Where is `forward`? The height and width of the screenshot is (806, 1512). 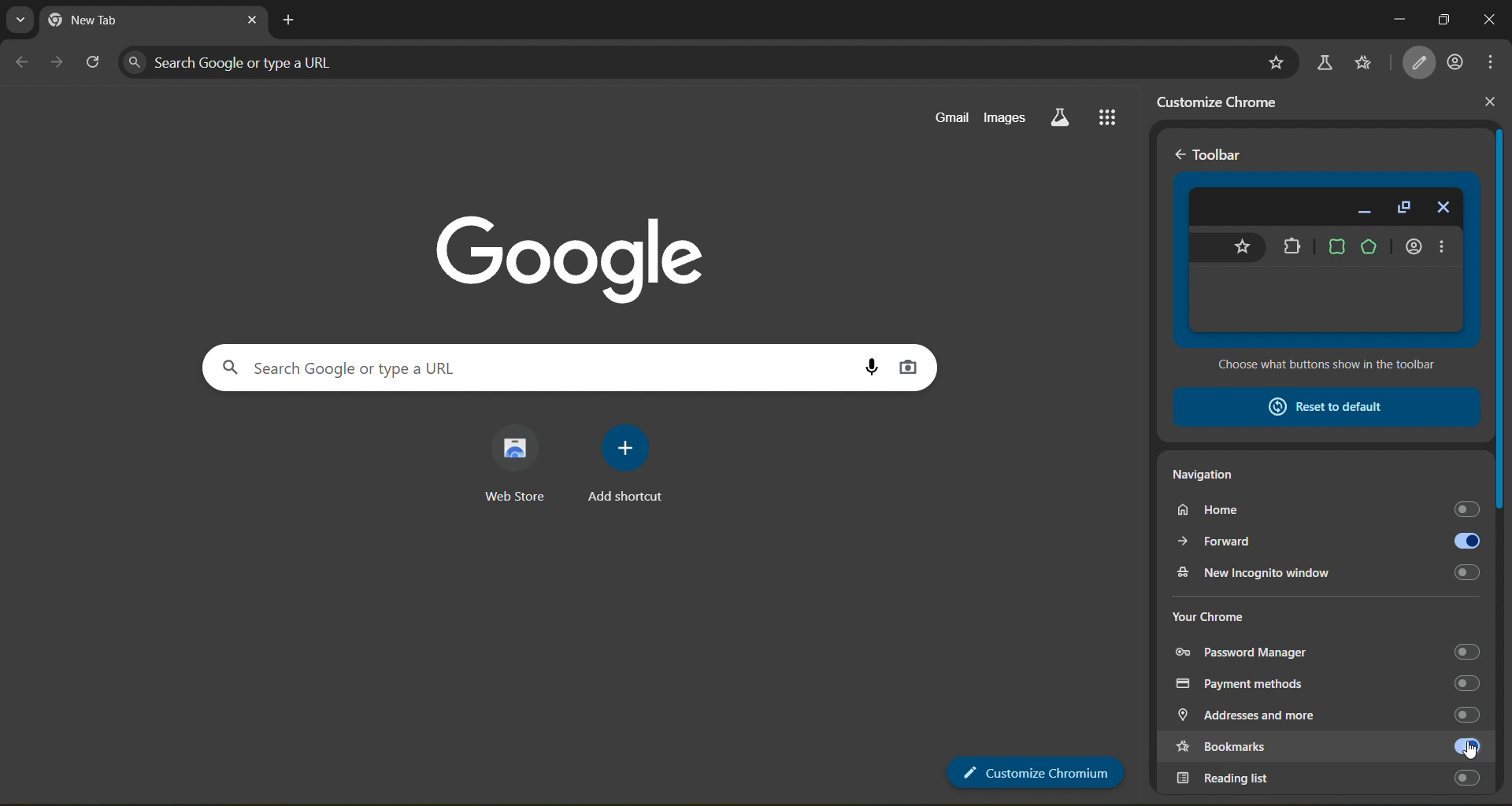
forward is located at coordinates (1328, 541).